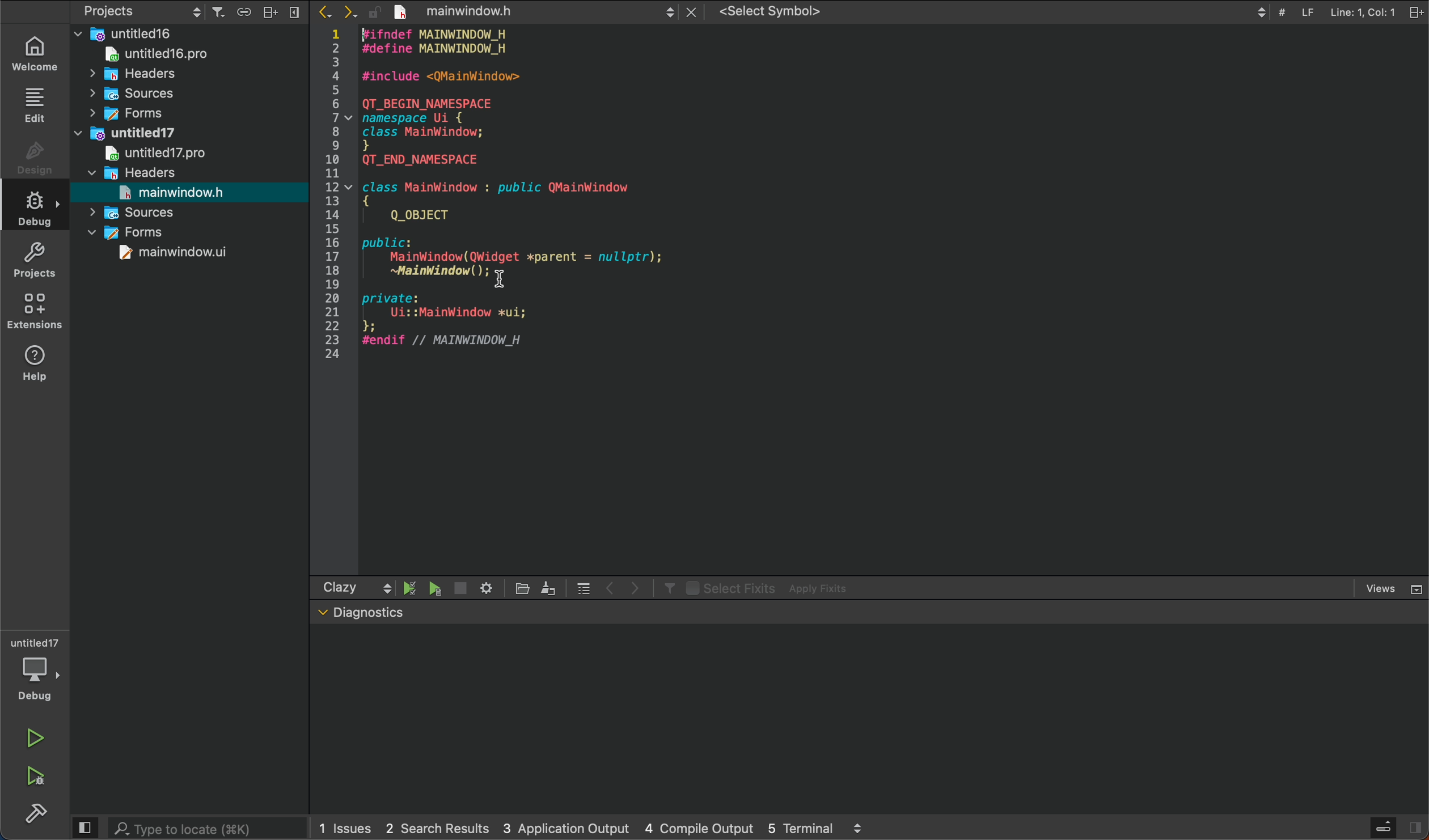  What do you see at coordinates (584, 587) in the screenshot?
I see `menu` at bounding box center [584, 587].